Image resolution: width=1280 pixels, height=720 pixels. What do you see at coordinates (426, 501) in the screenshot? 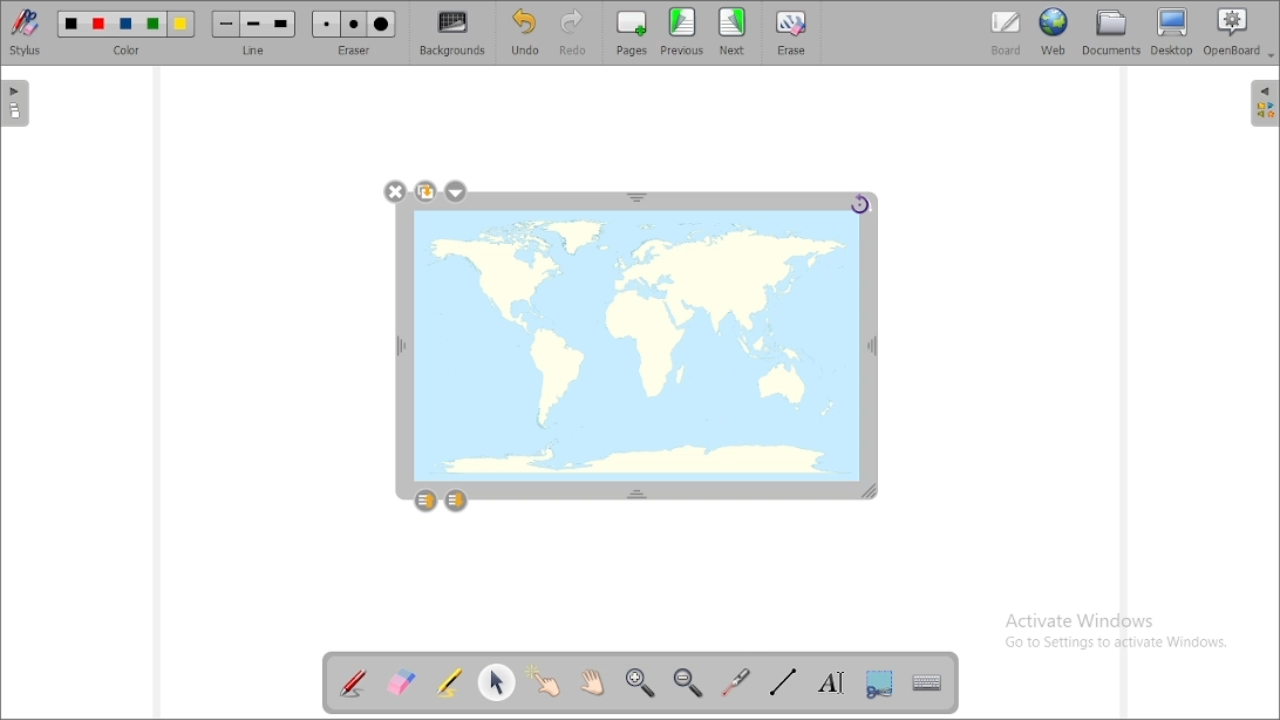
I see `layer up` at bounding box center [426, 501].